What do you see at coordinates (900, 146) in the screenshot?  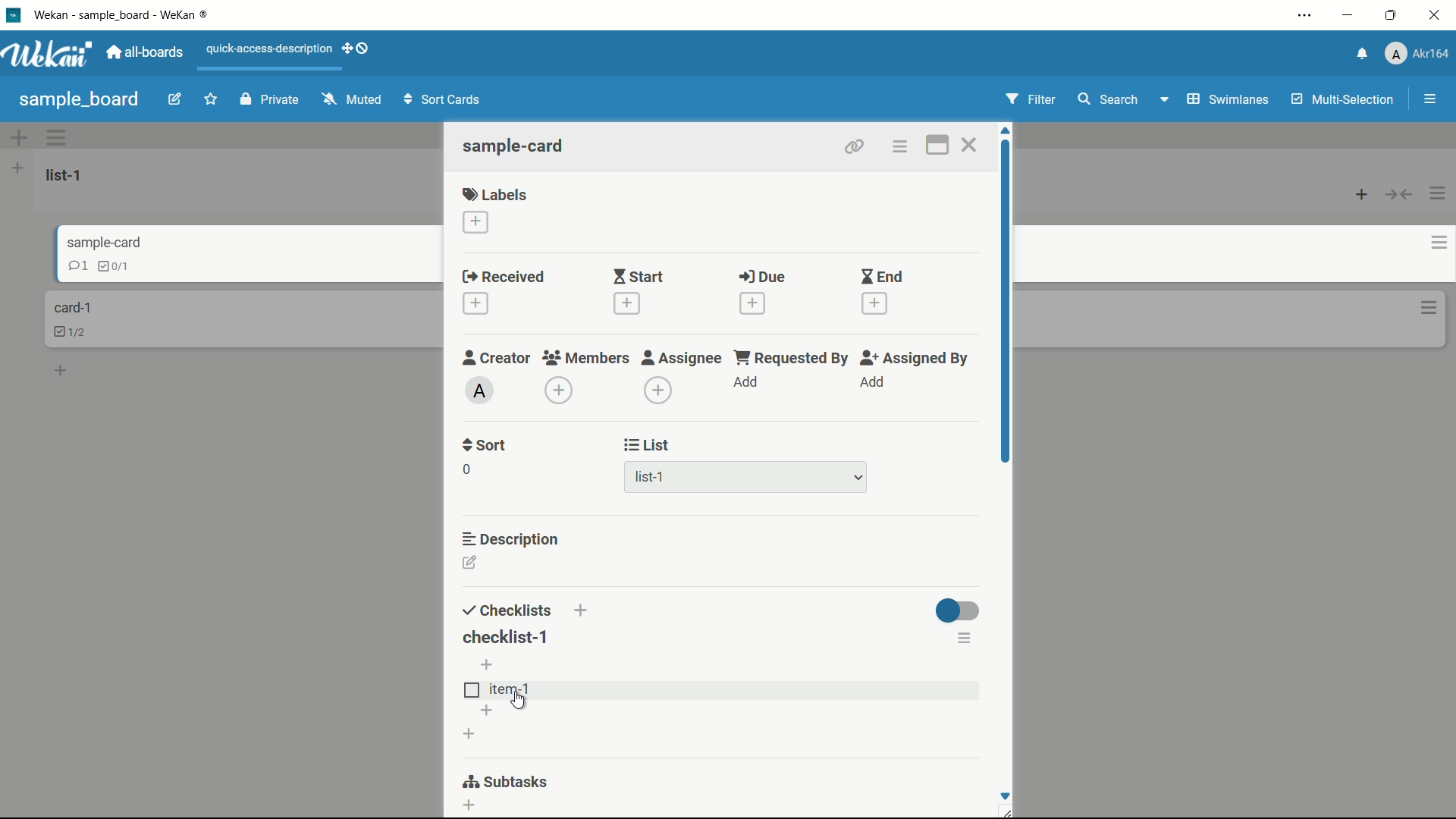 I see `card actions` at bounding box center [900, 146].